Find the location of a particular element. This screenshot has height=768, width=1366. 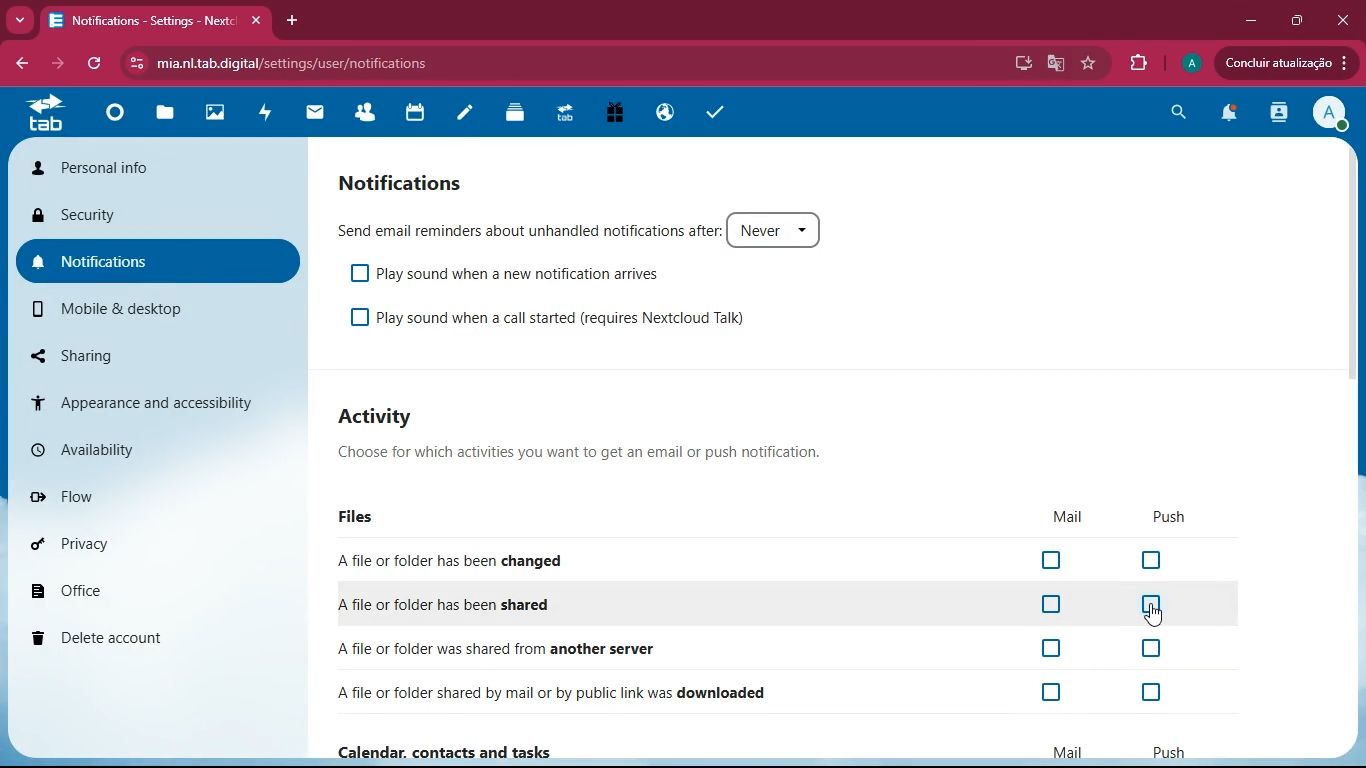

security is located at coordinates (160, 214).